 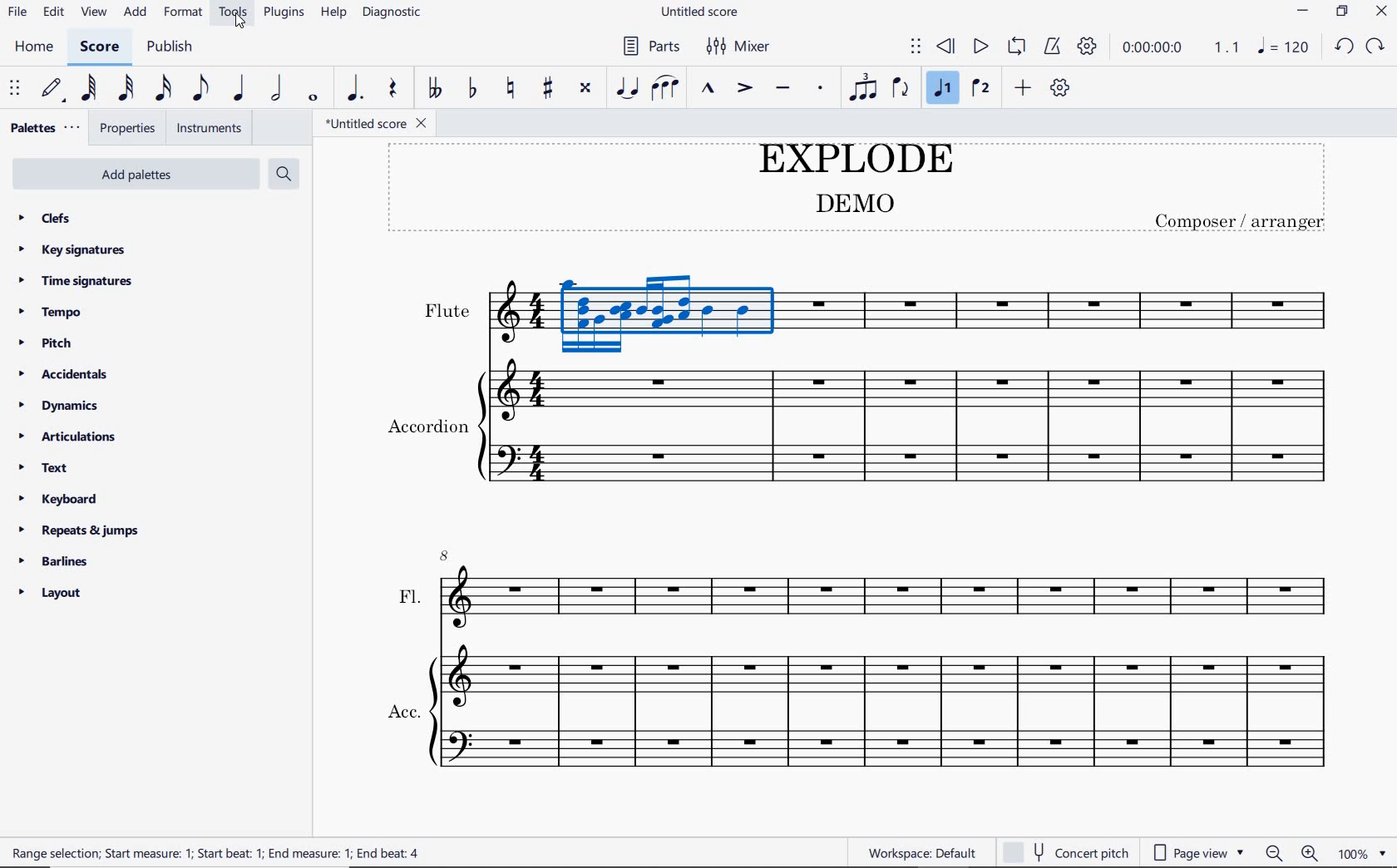 What do you see at coordinates (1365, 850) in the screenshot?
I see `zoom factor` at bounding box center [1365, 850].